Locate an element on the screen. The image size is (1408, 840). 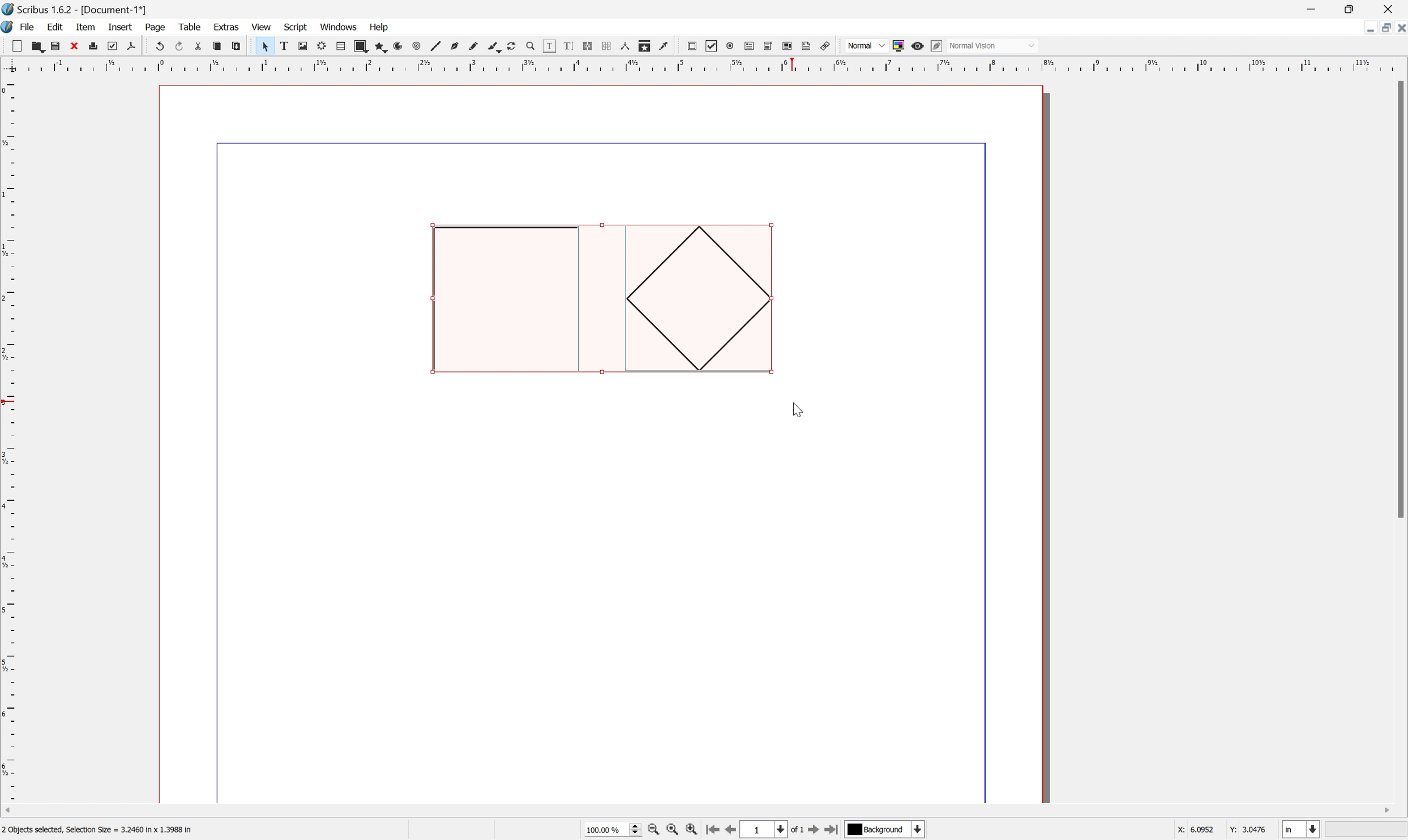
pdf radio box is located at coordinates (728, 45).